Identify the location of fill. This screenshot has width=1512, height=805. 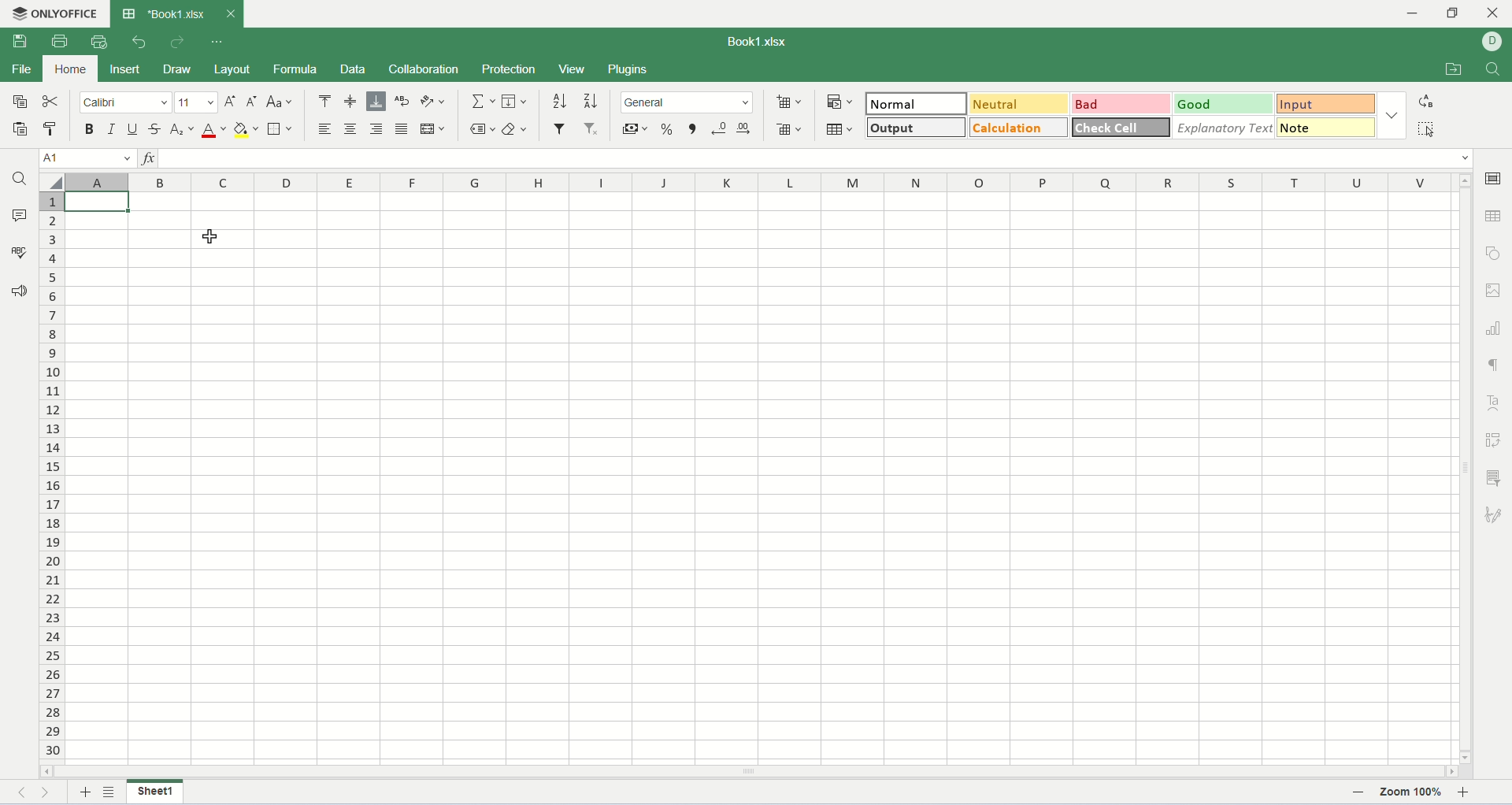
(516, 101).